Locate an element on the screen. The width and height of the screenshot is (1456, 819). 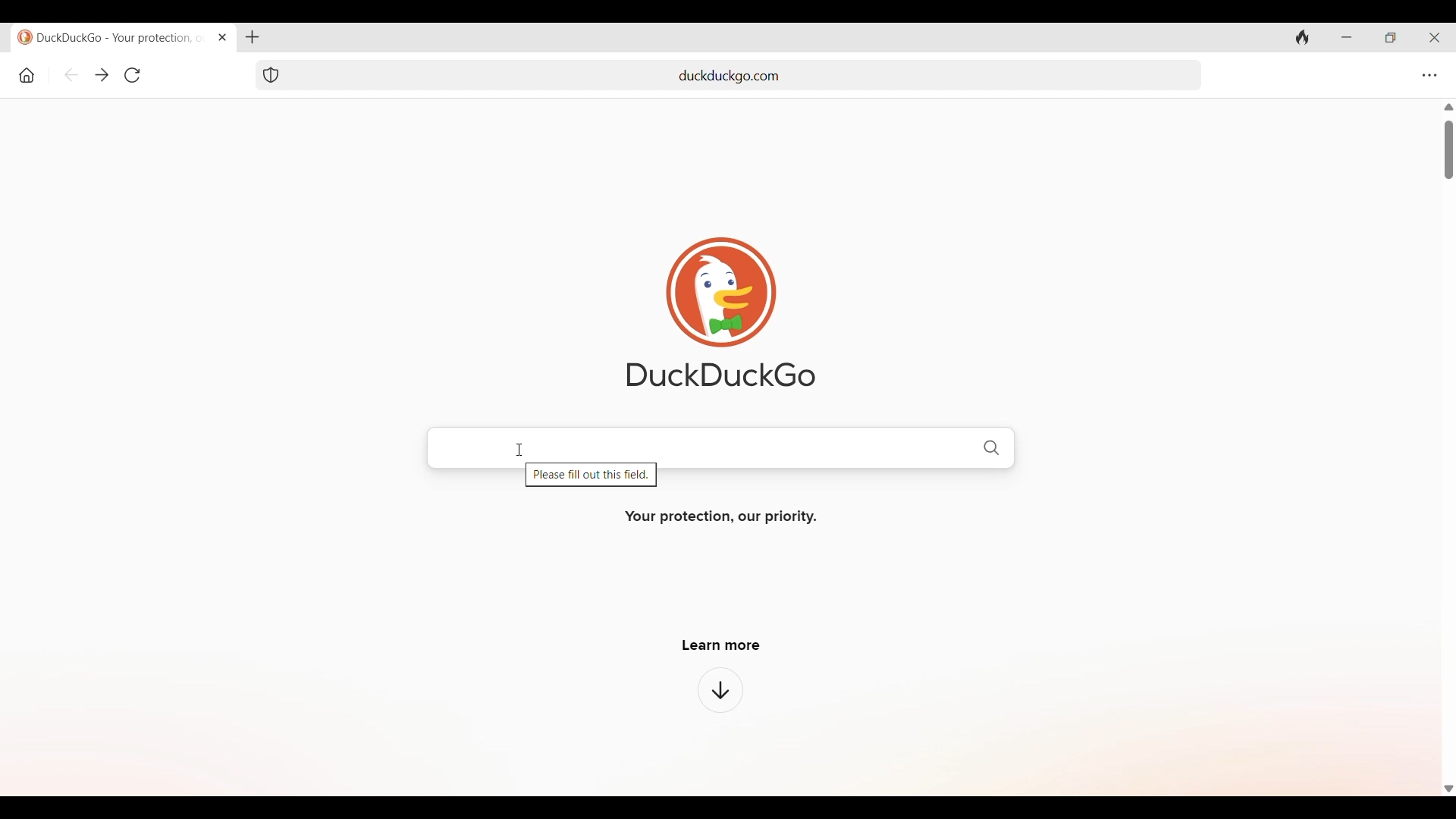
Home is located at coordinates (27, 75).